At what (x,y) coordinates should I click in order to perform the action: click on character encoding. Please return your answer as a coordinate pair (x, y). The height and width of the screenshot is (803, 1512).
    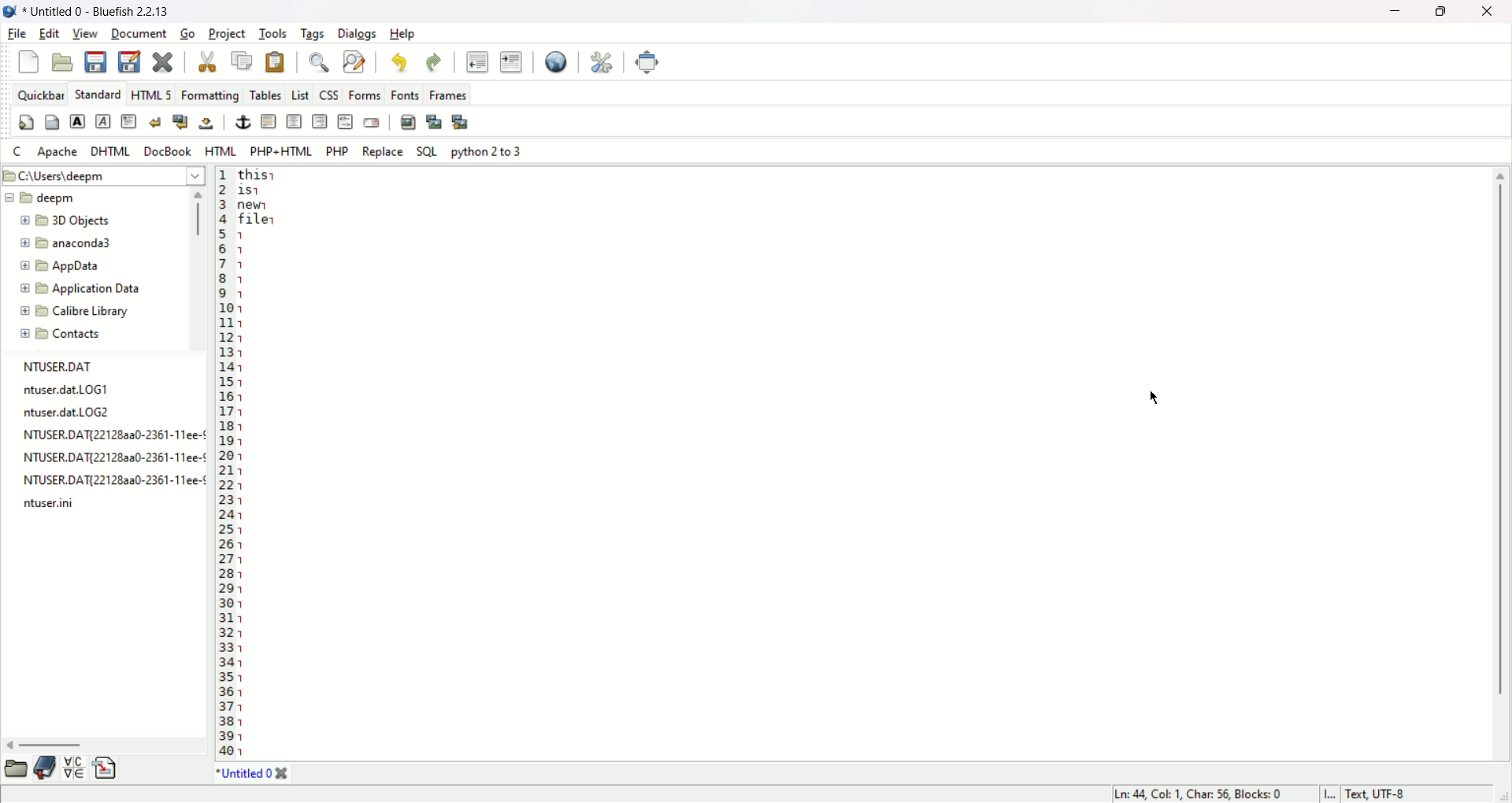
    Looking at the image, I should click on (1411, 794).